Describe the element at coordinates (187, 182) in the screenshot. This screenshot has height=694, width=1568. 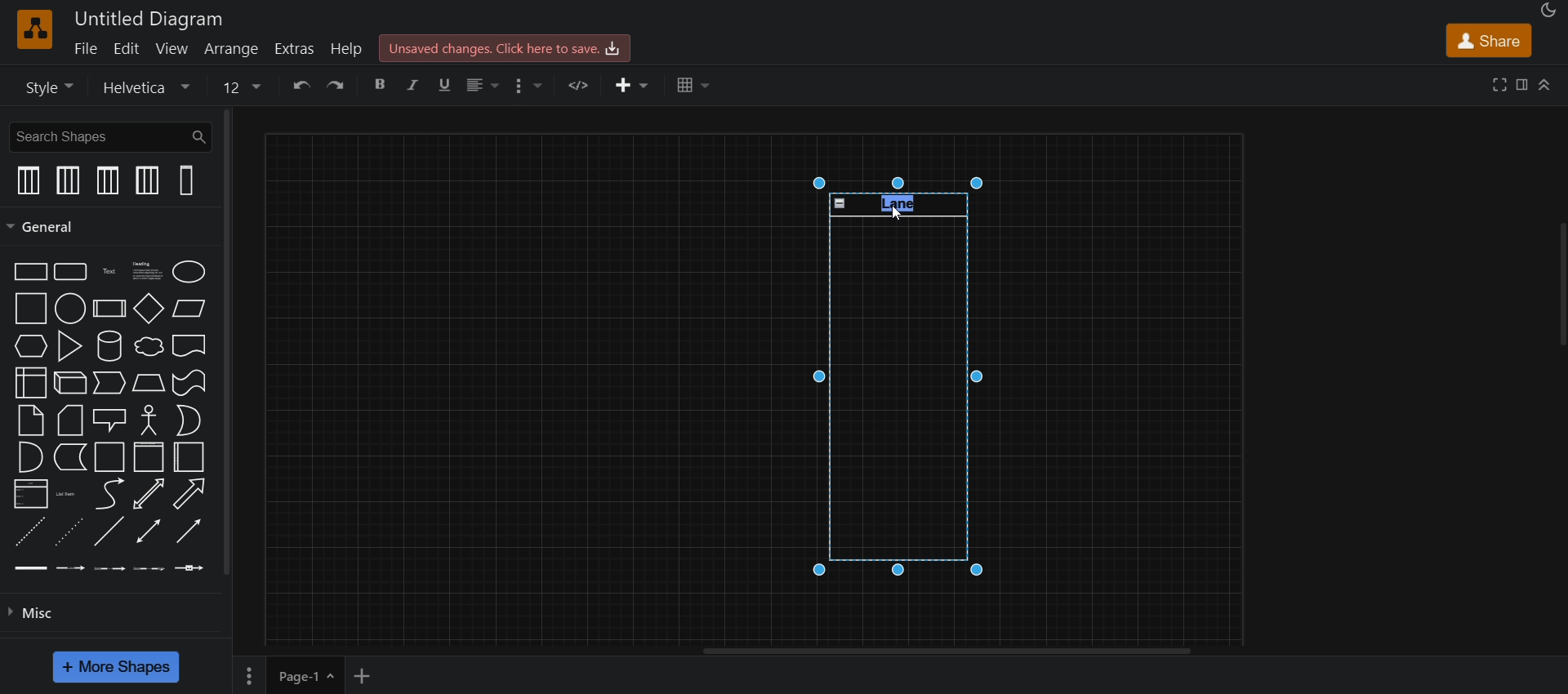
I see `vertical swimlanes` at that location.